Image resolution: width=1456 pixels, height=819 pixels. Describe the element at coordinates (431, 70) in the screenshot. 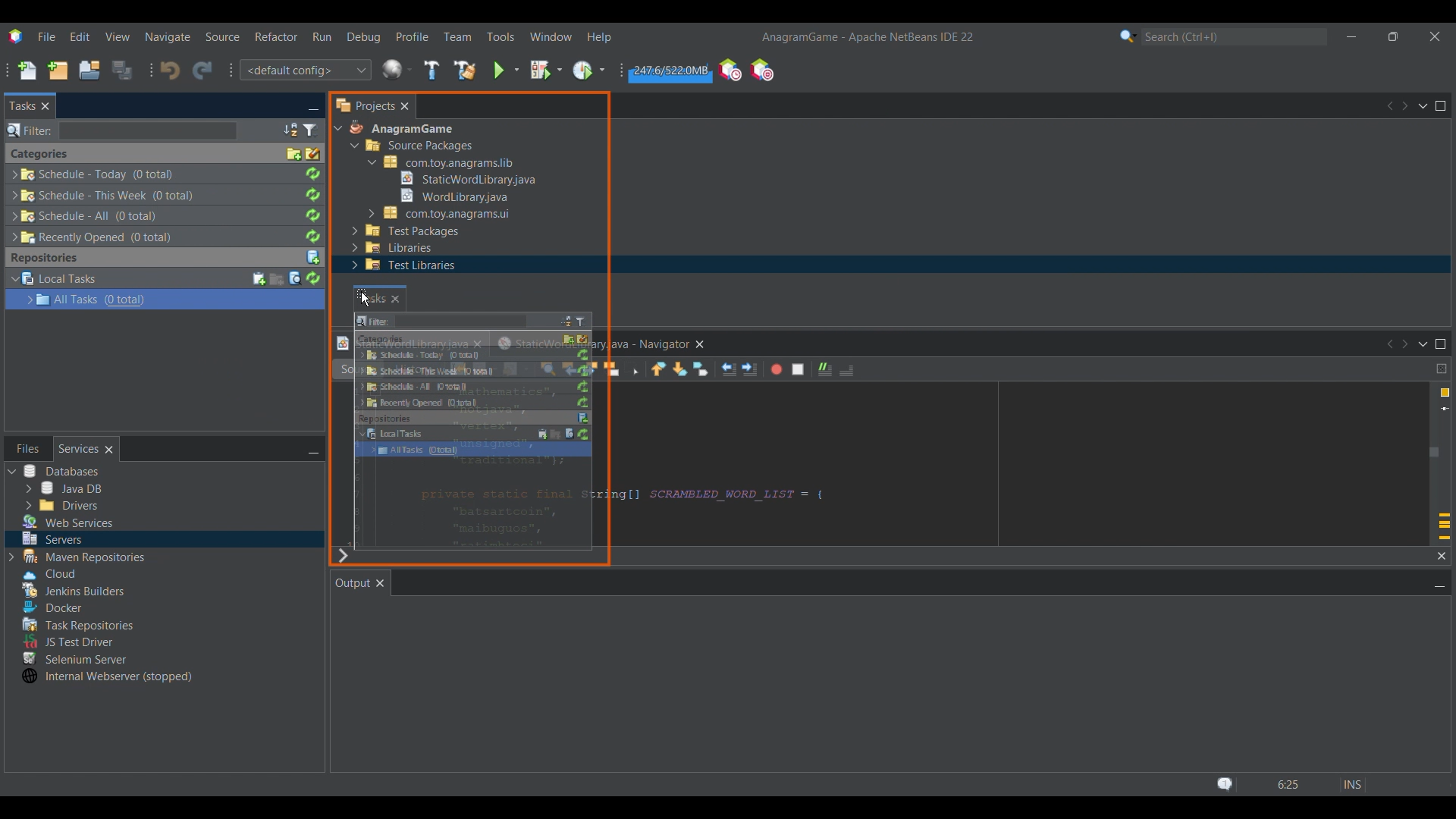

I see `Build main project` at that location.